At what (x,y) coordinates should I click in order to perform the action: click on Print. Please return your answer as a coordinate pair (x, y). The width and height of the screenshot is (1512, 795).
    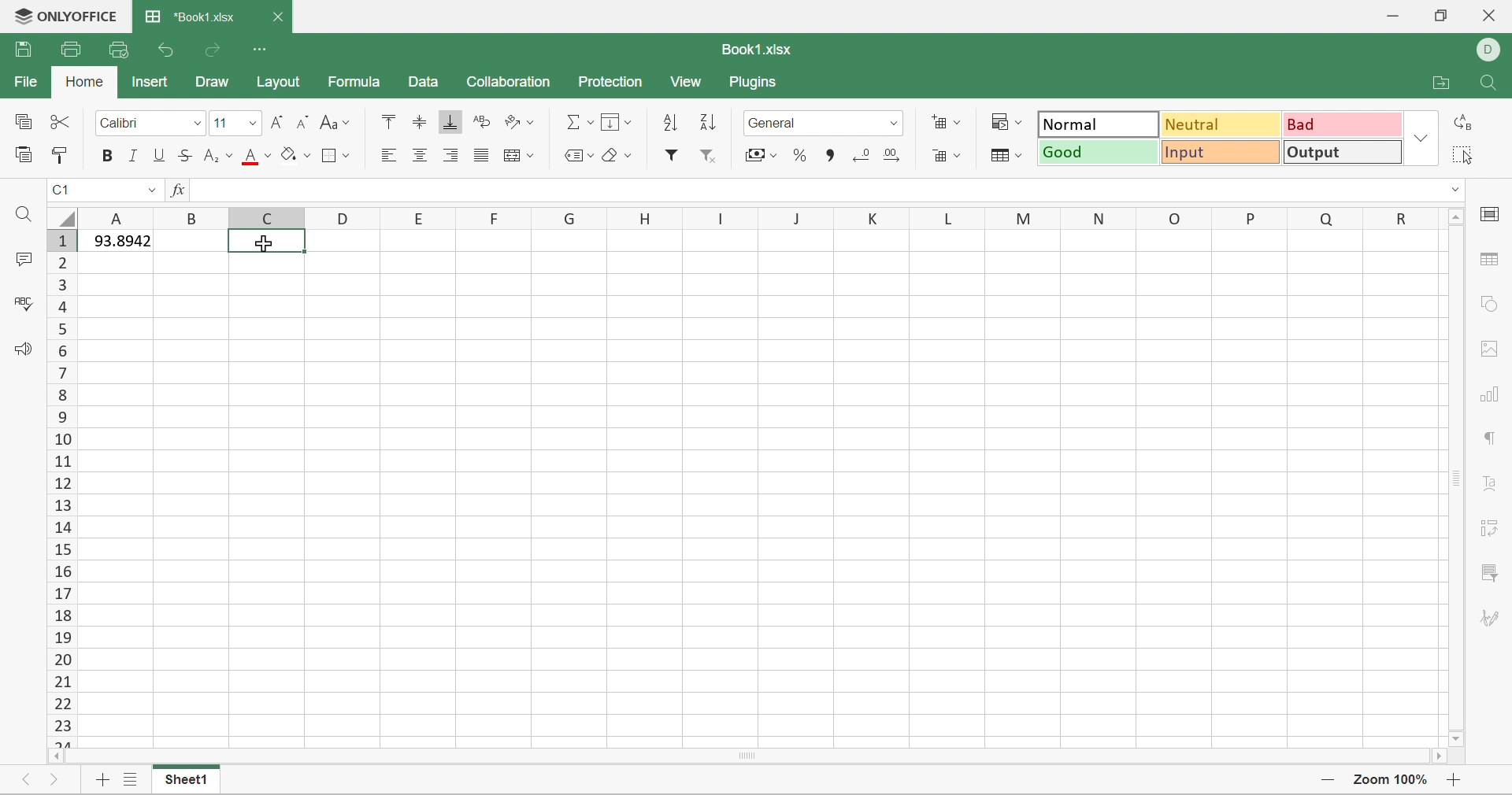
    Looking at the image, I should click on (71, 48).